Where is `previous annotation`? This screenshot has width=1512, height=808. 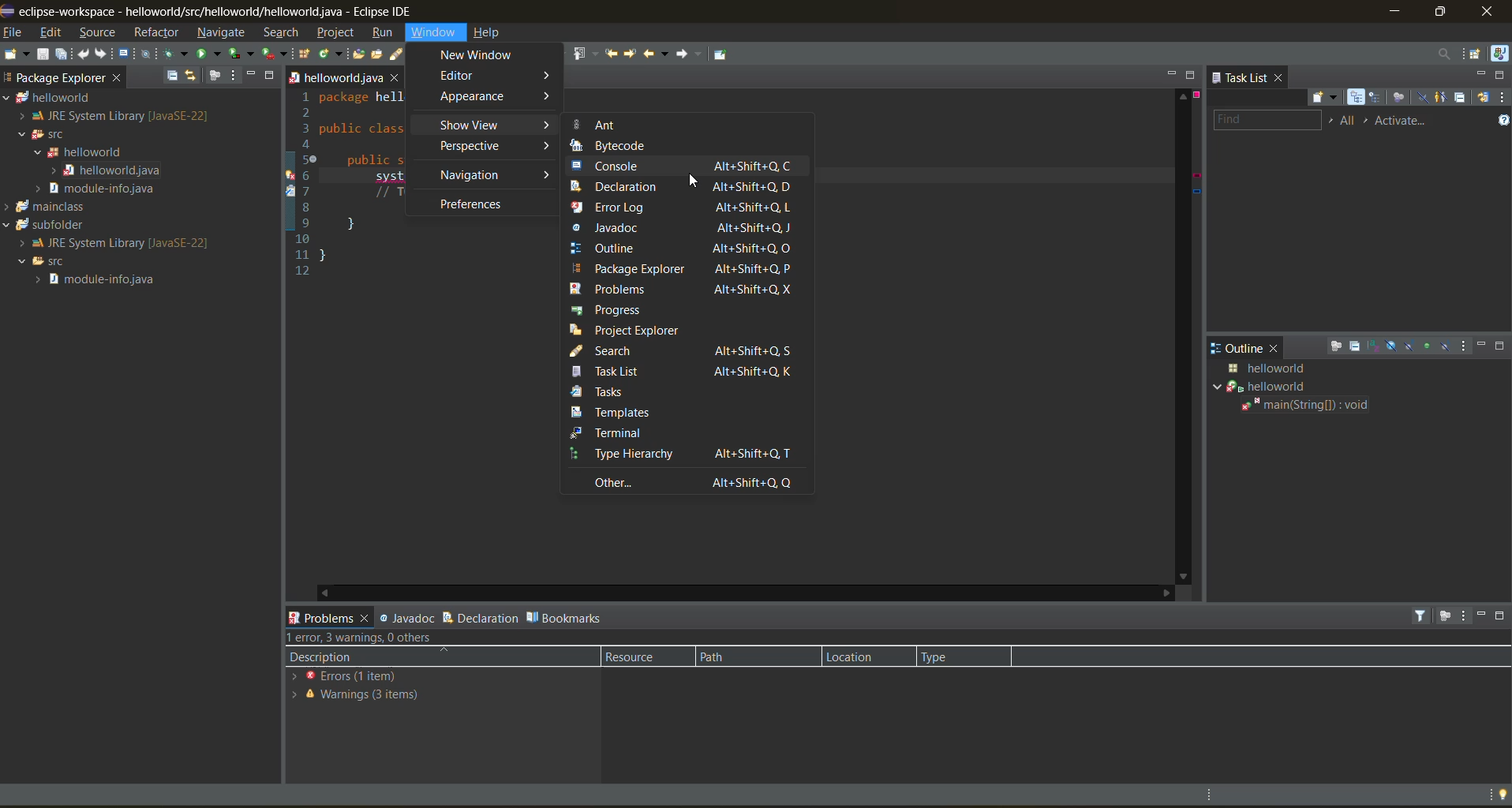
previous annotation is located at coordinates (587, 54).